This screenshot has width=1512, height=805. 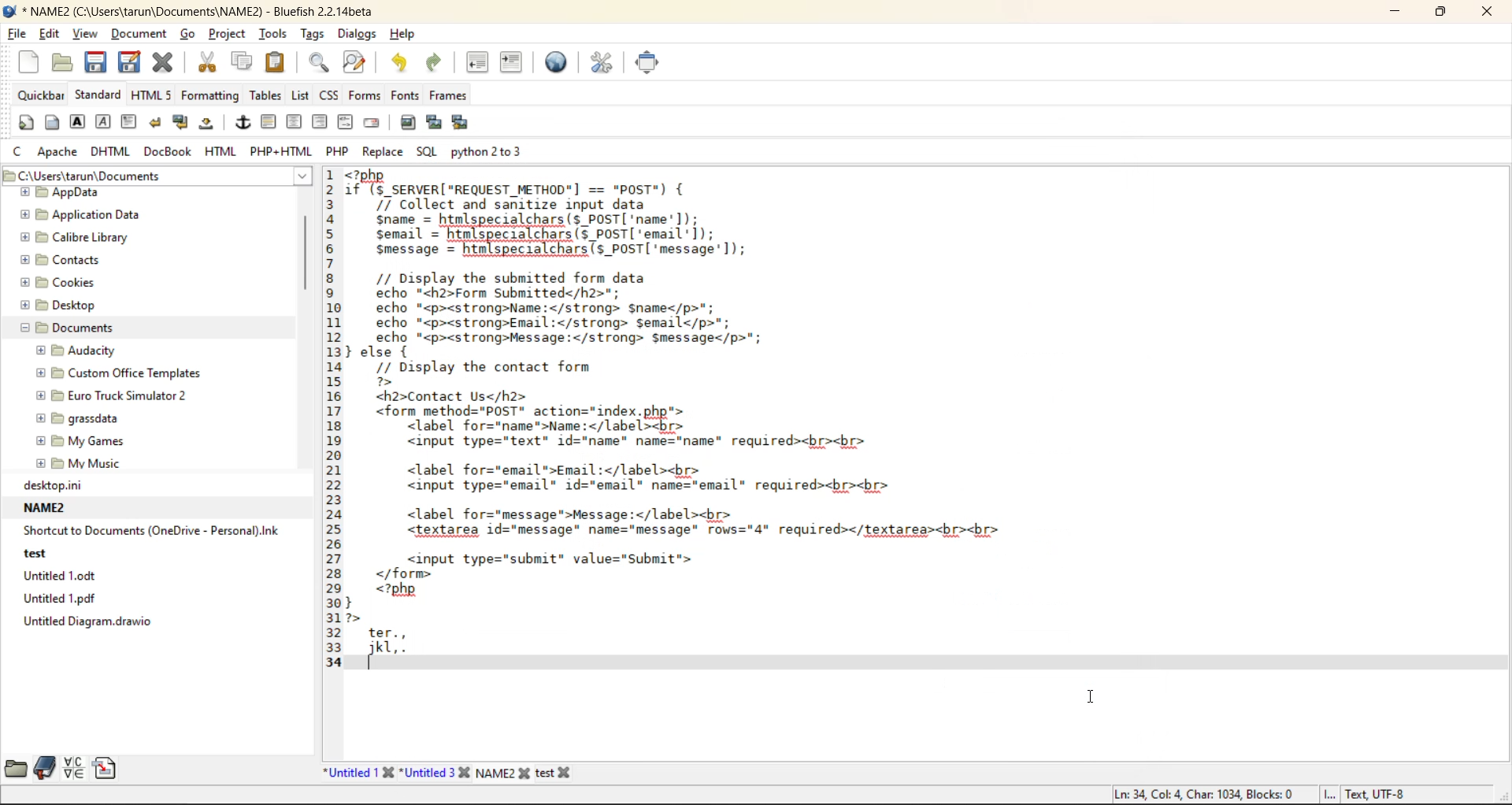 I want to click on project, so click(x=228, y=34).